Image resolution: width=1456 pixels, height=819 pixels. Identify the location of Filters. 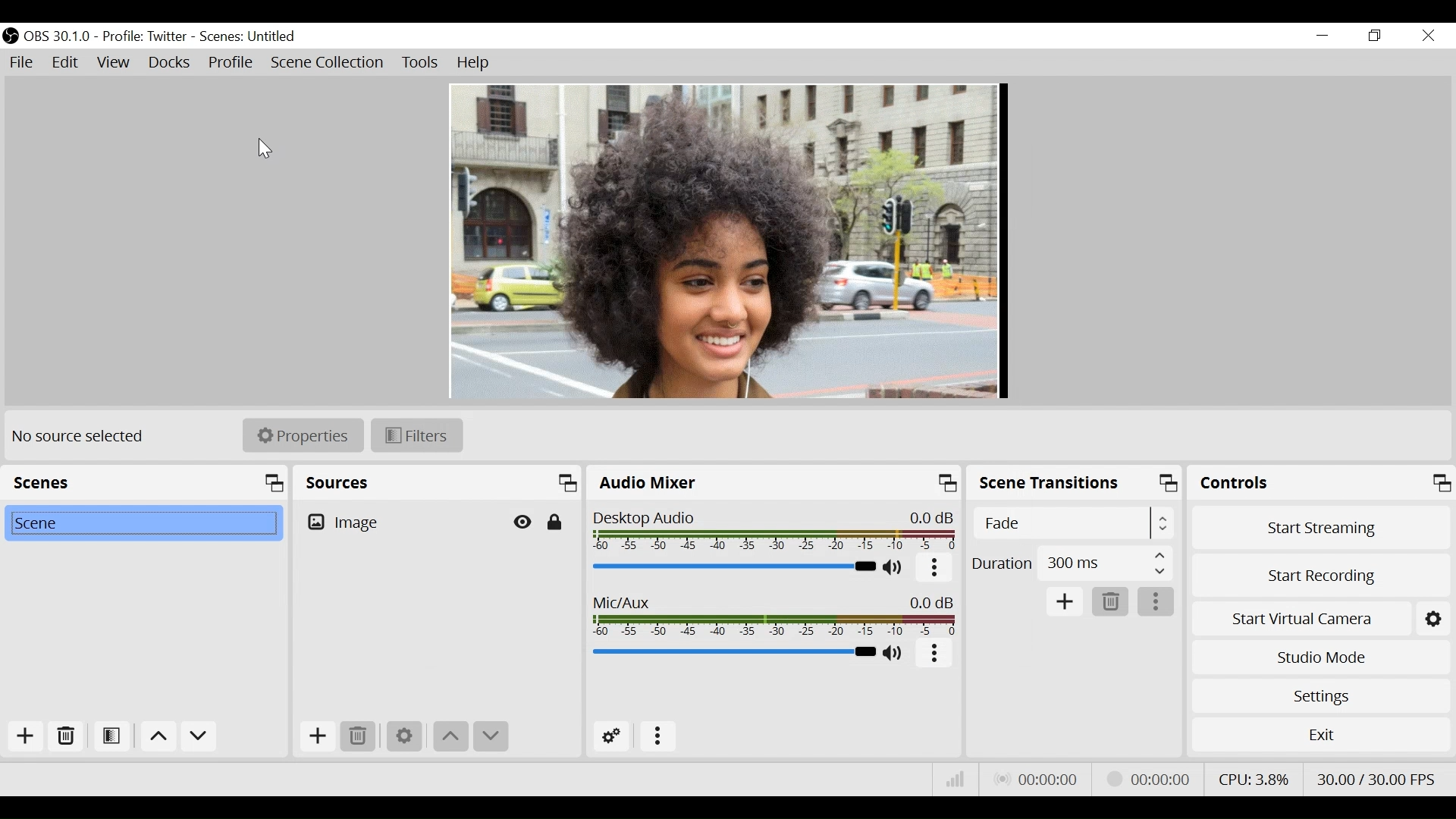
(418, 436).